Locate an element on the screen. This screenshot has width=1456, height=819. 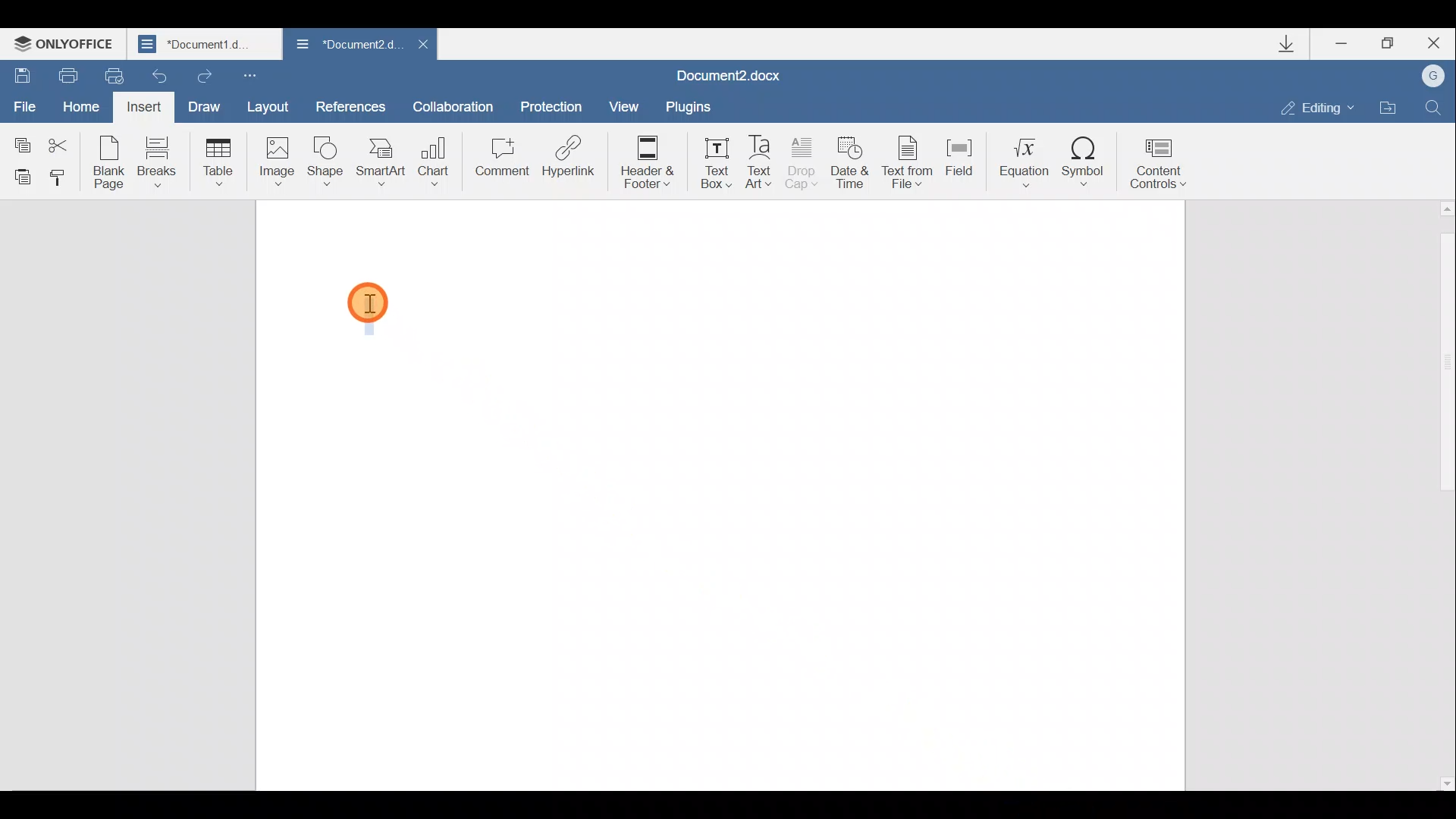
Collaboration is located at coordinates (453, 104).